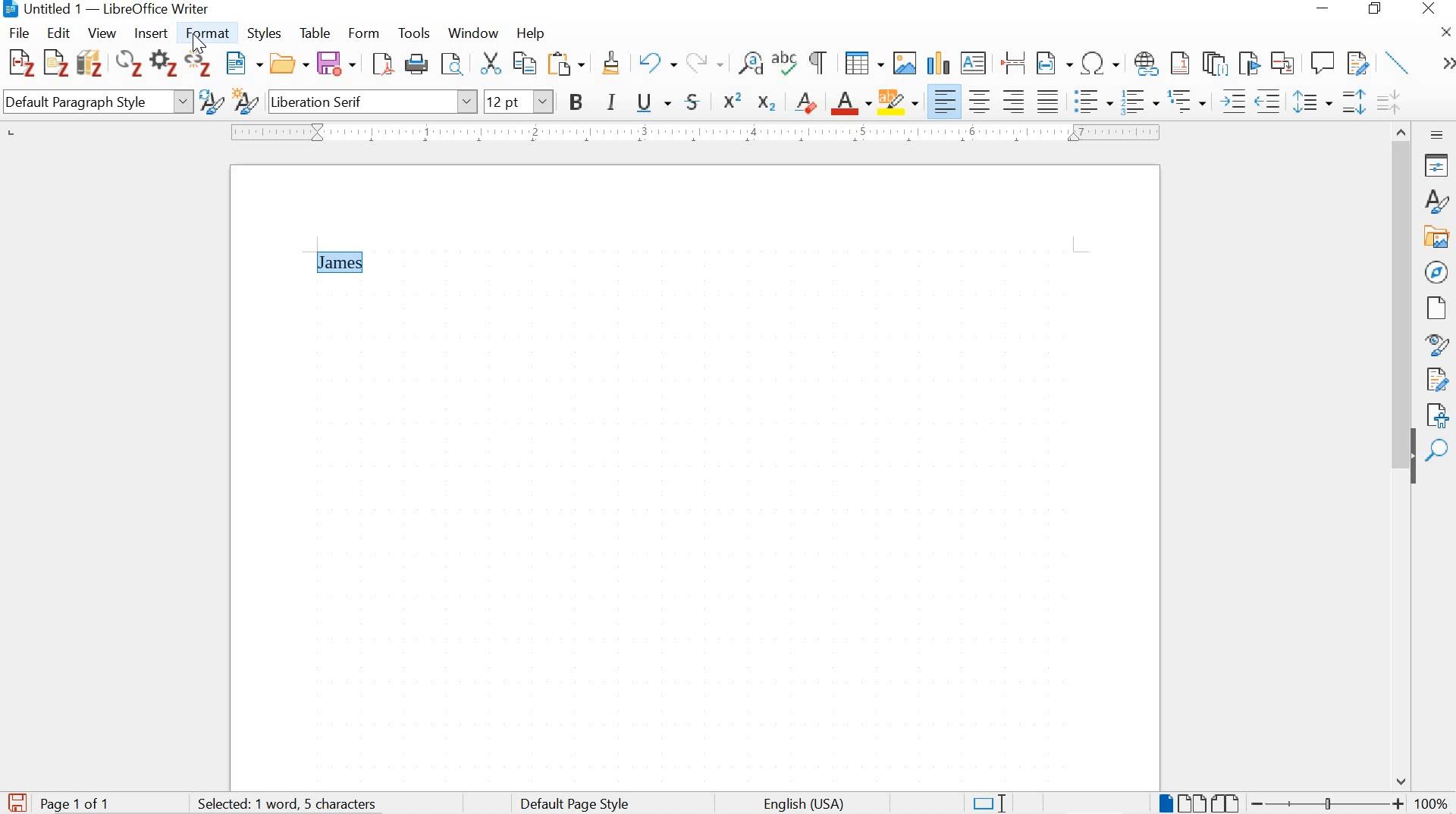  What do you see at coordinates (1412, 465) in the screenshot?
I see `hide sidebar` at bounding box center [1412, 465].